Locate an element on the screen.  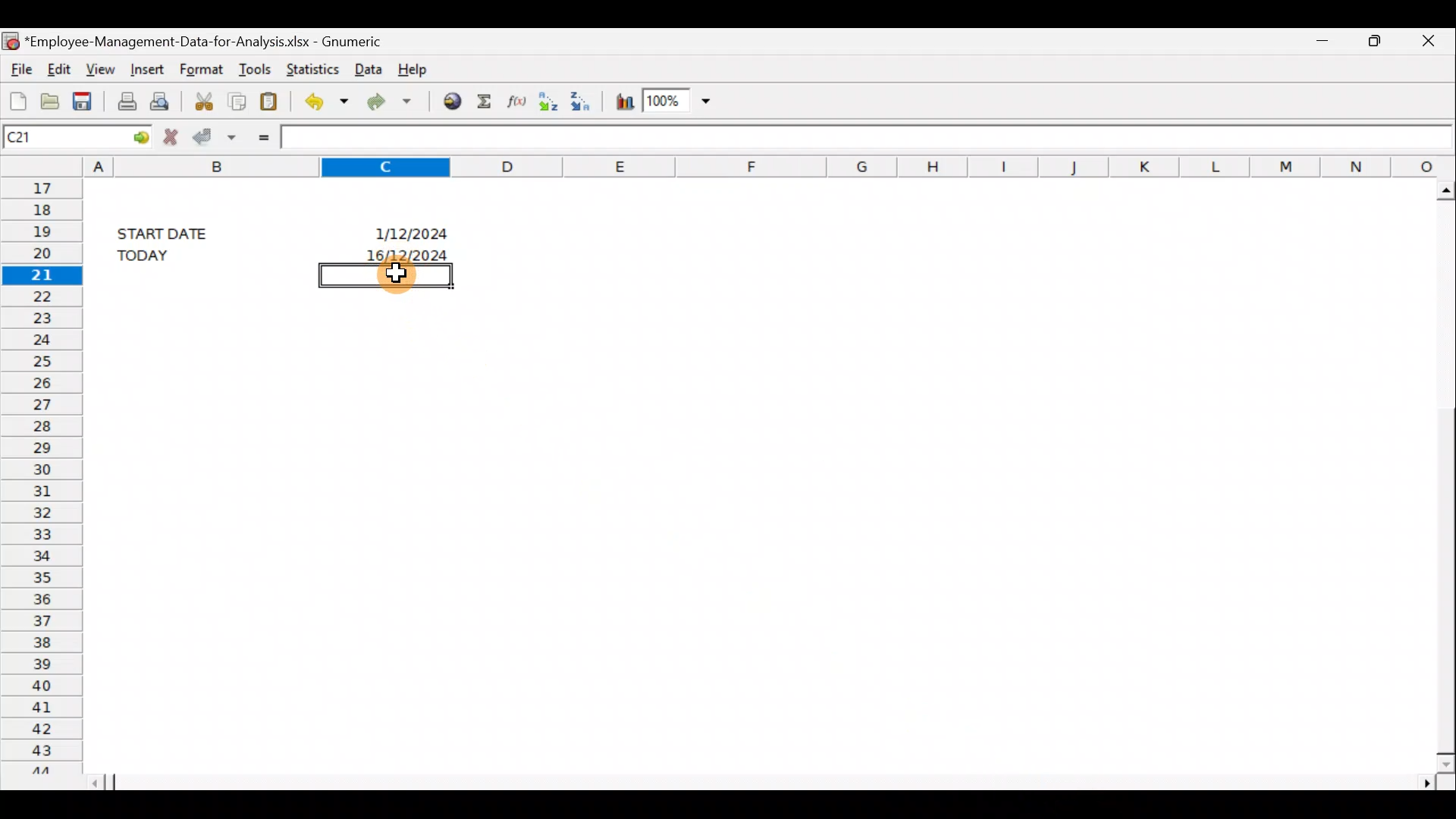
Paste the clipboard is located at coordinates (272, 99).